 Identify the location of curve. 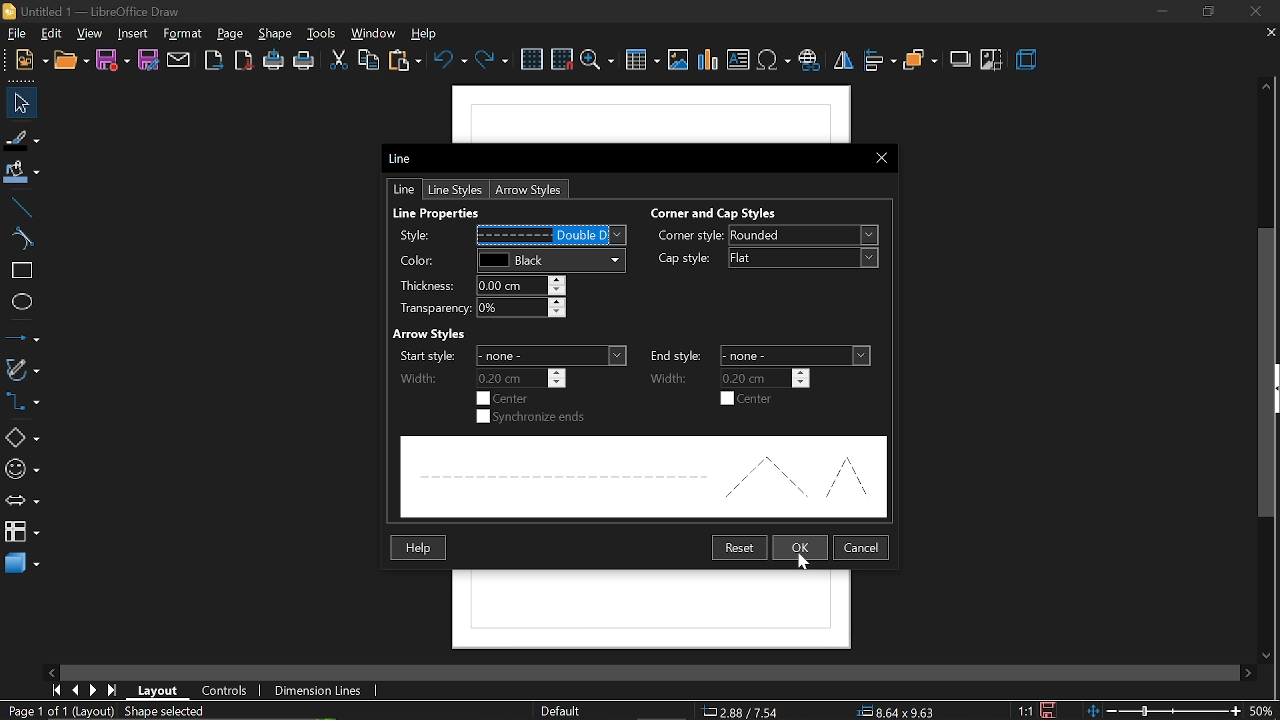
(24, 239).